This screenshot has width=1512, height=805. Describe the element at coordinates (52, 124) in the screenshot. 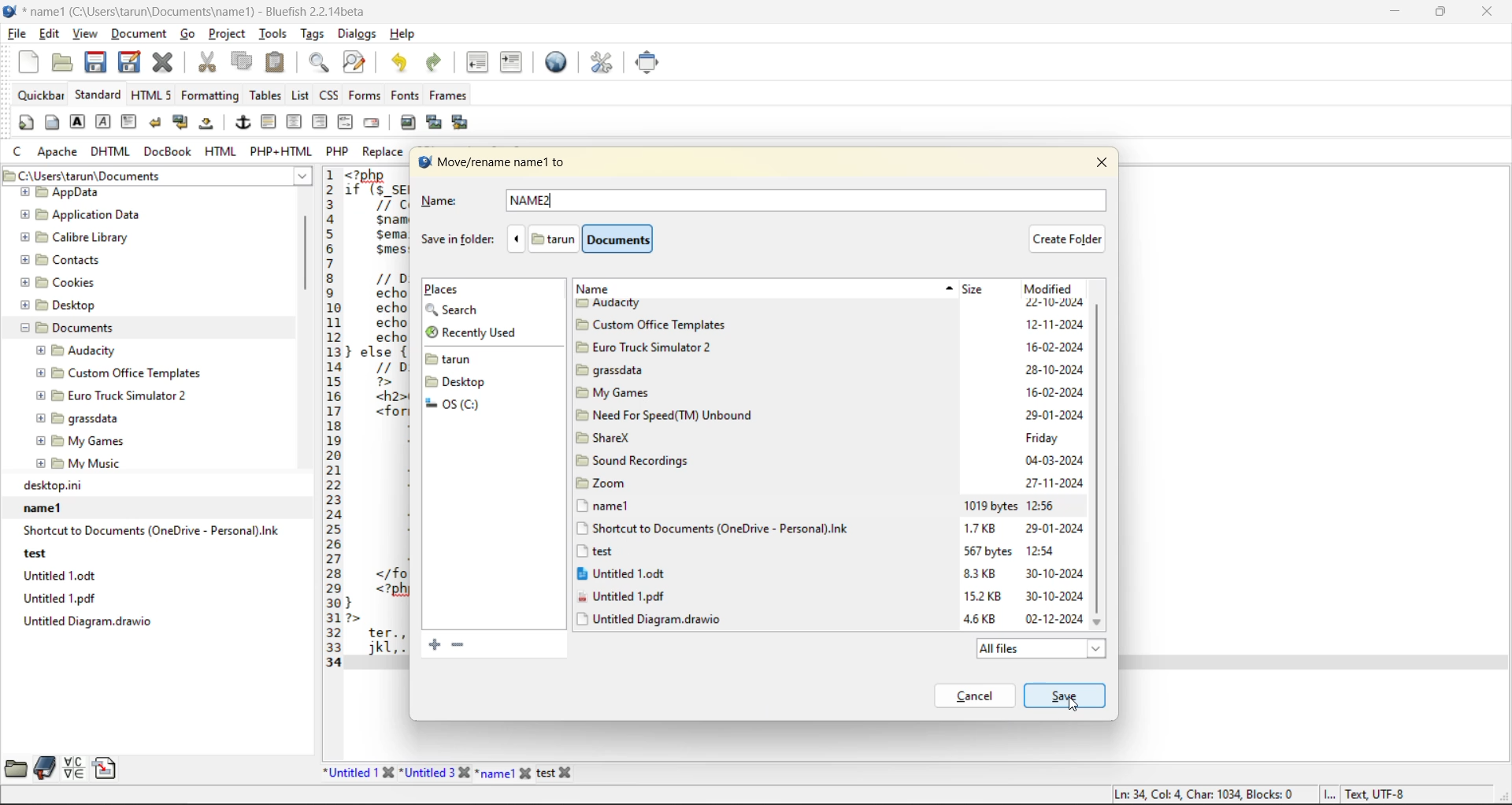

I see `body` at that location.